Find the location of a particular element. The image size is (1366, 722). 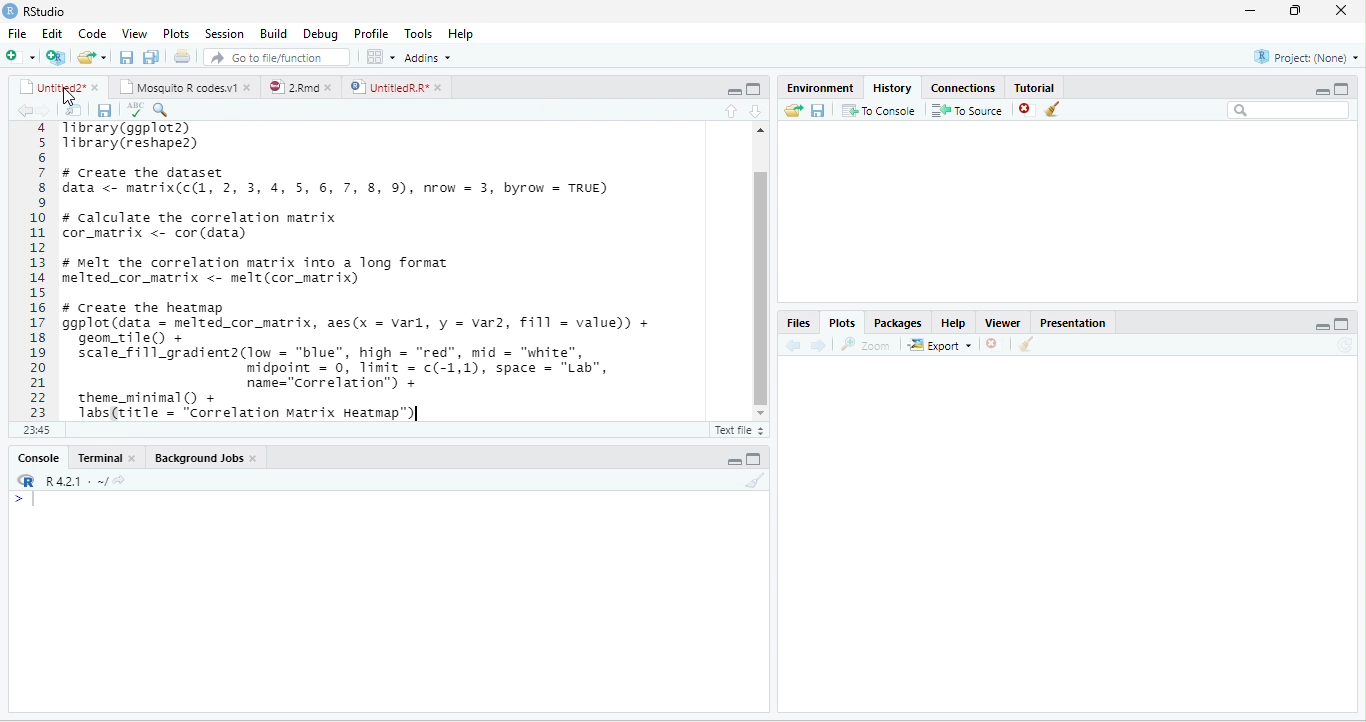

history is located at coordinates (890, 86).